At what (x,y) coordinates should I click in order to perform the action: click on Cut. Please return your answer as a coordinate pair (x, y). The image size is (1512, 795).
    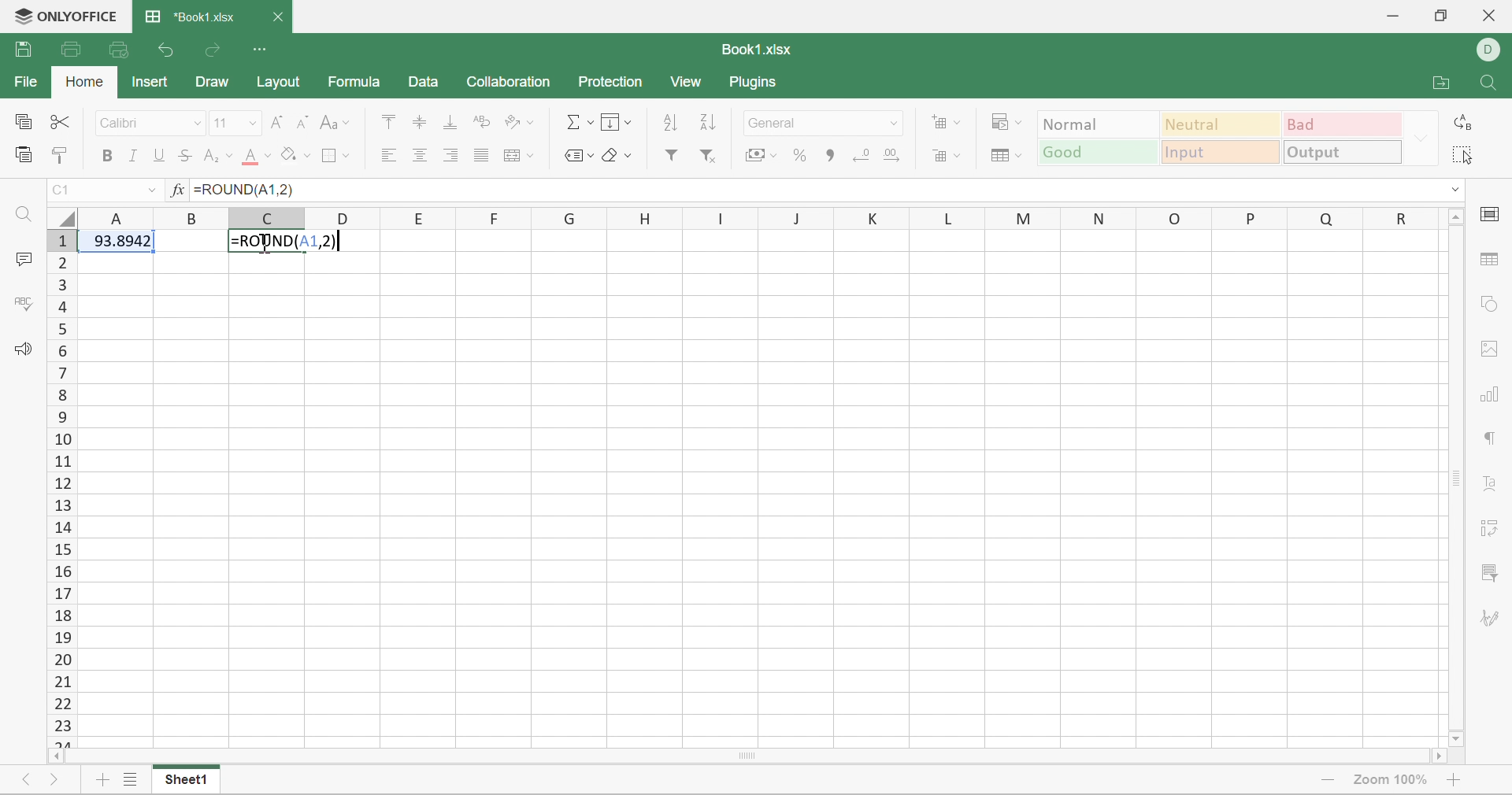
    Looking at the image, I should click on (57, 122).